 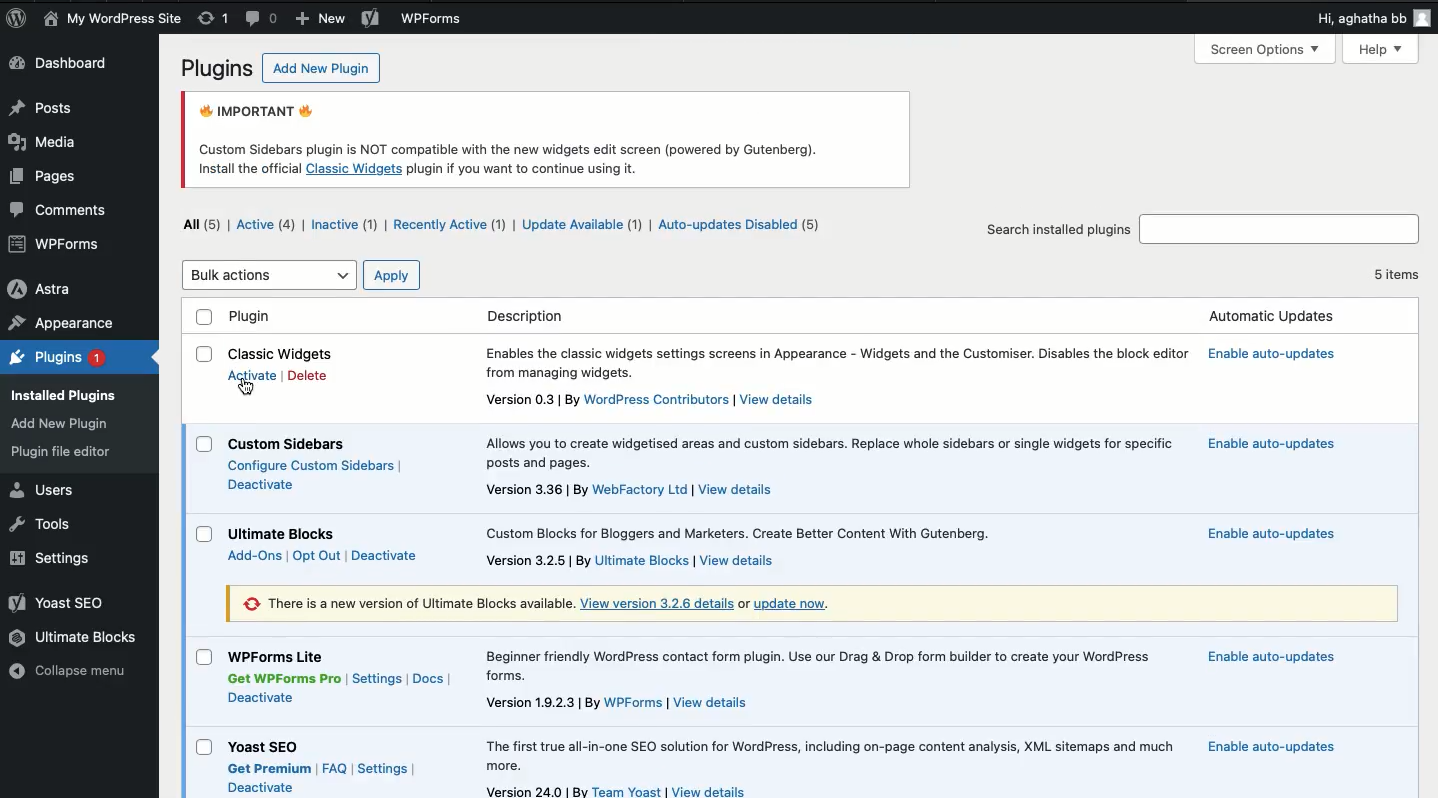 What do you see at coordinates (266, 744) in the screenshot?
I see `Yoast SOE` at bounding box center [266, 744].